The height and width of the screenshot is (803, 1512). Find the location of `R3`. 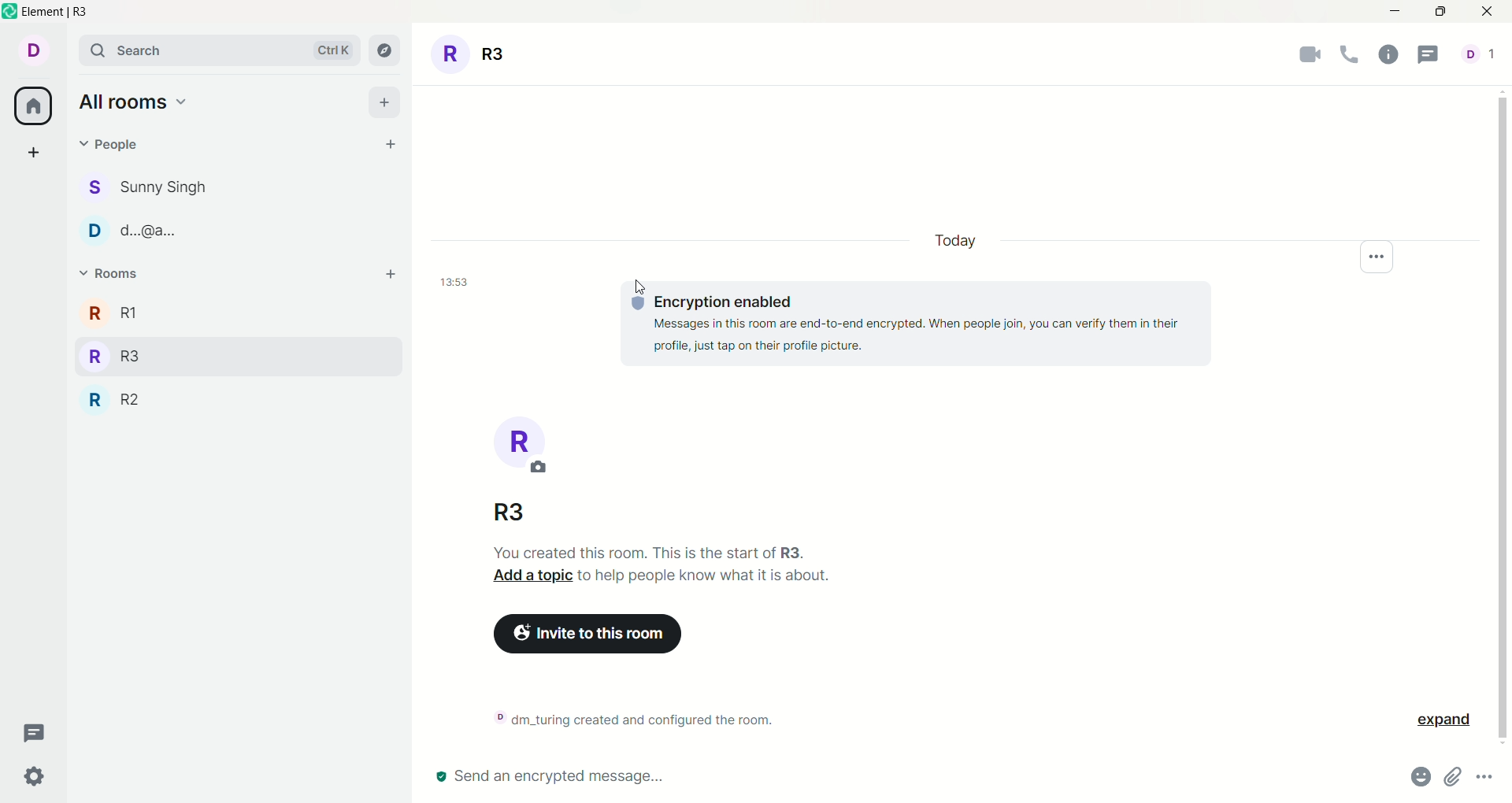

R3 is located at coordinates (112, 354).